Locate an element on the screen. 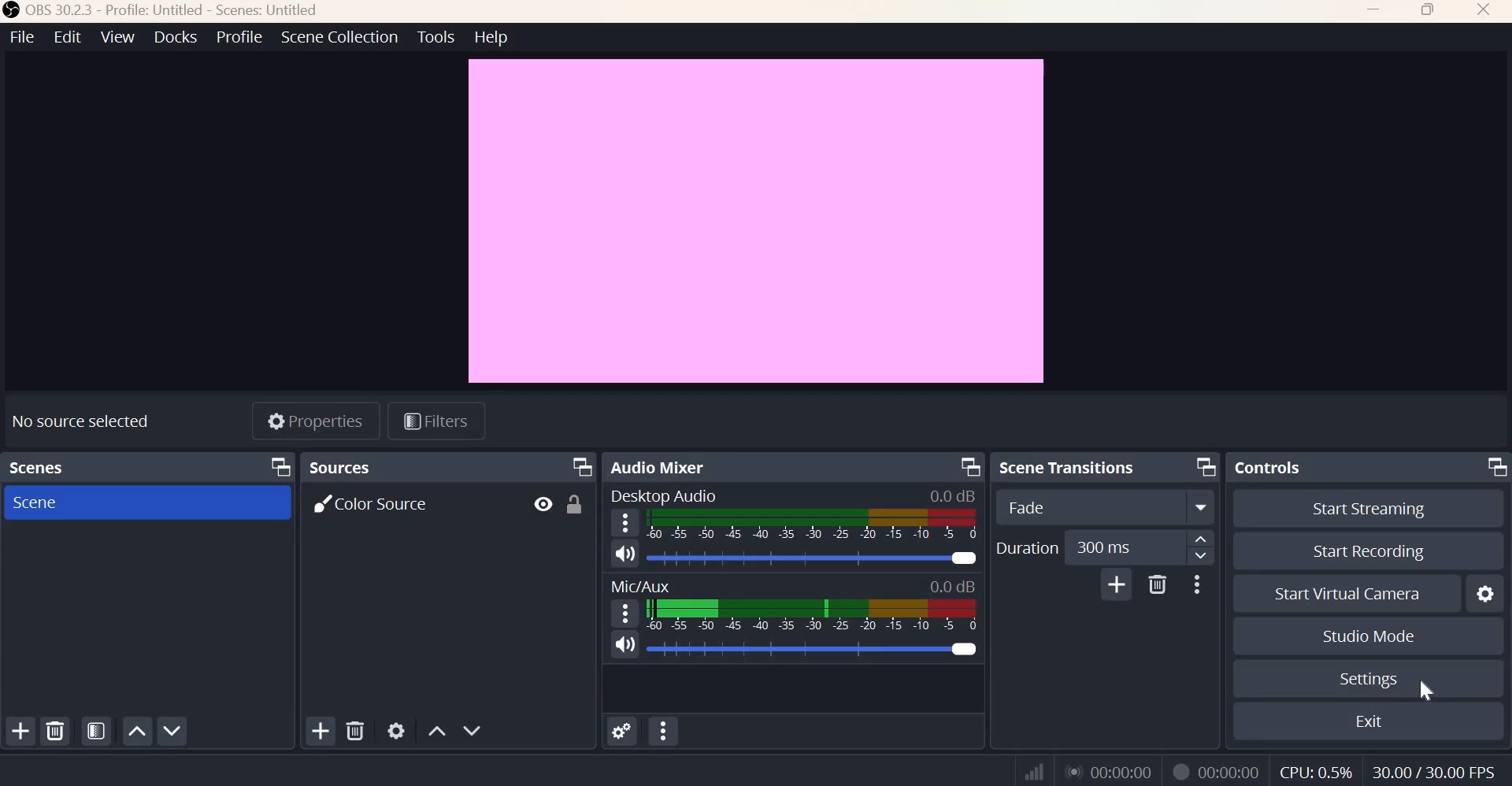 This screenshot has width=1512, height=786. Volume Meter is located at coordinates (813, 526).